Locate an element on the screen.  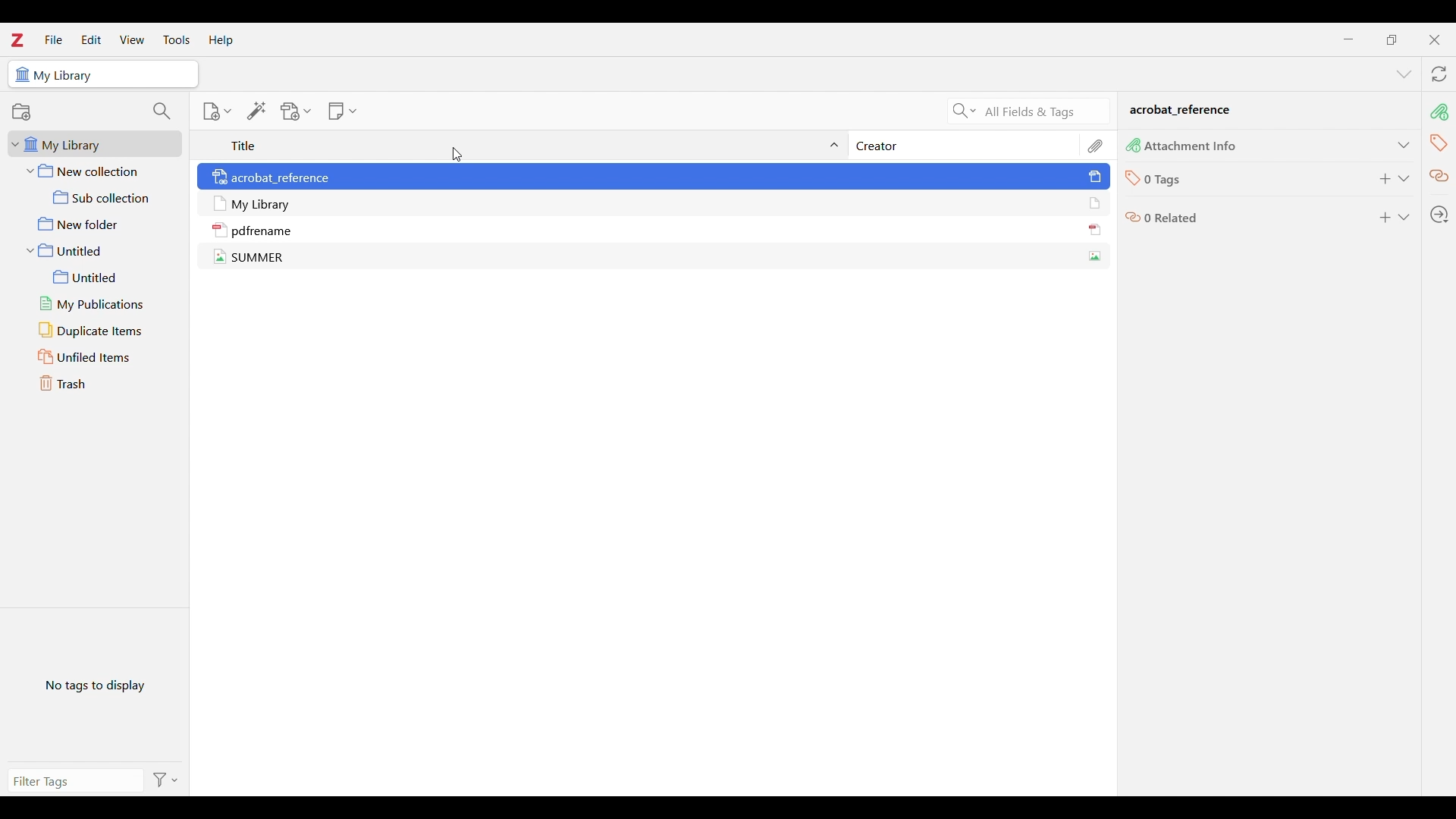
My Library is located at coordinates (262, 203).